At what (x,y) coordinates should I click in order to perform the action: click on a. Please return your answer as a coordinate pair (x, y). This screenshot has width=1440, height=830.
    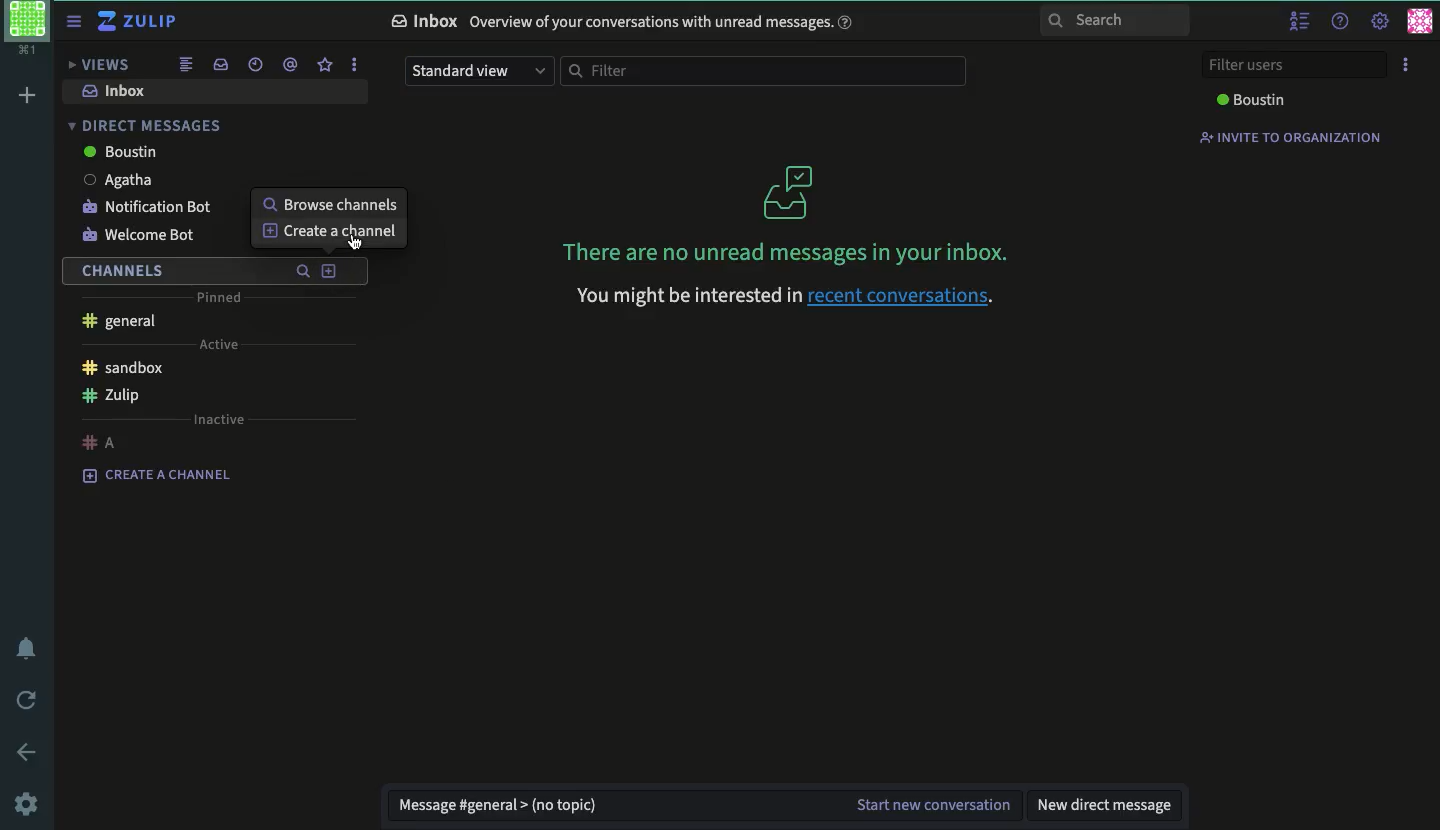
    Looking at the image, I should click on (103, 444).